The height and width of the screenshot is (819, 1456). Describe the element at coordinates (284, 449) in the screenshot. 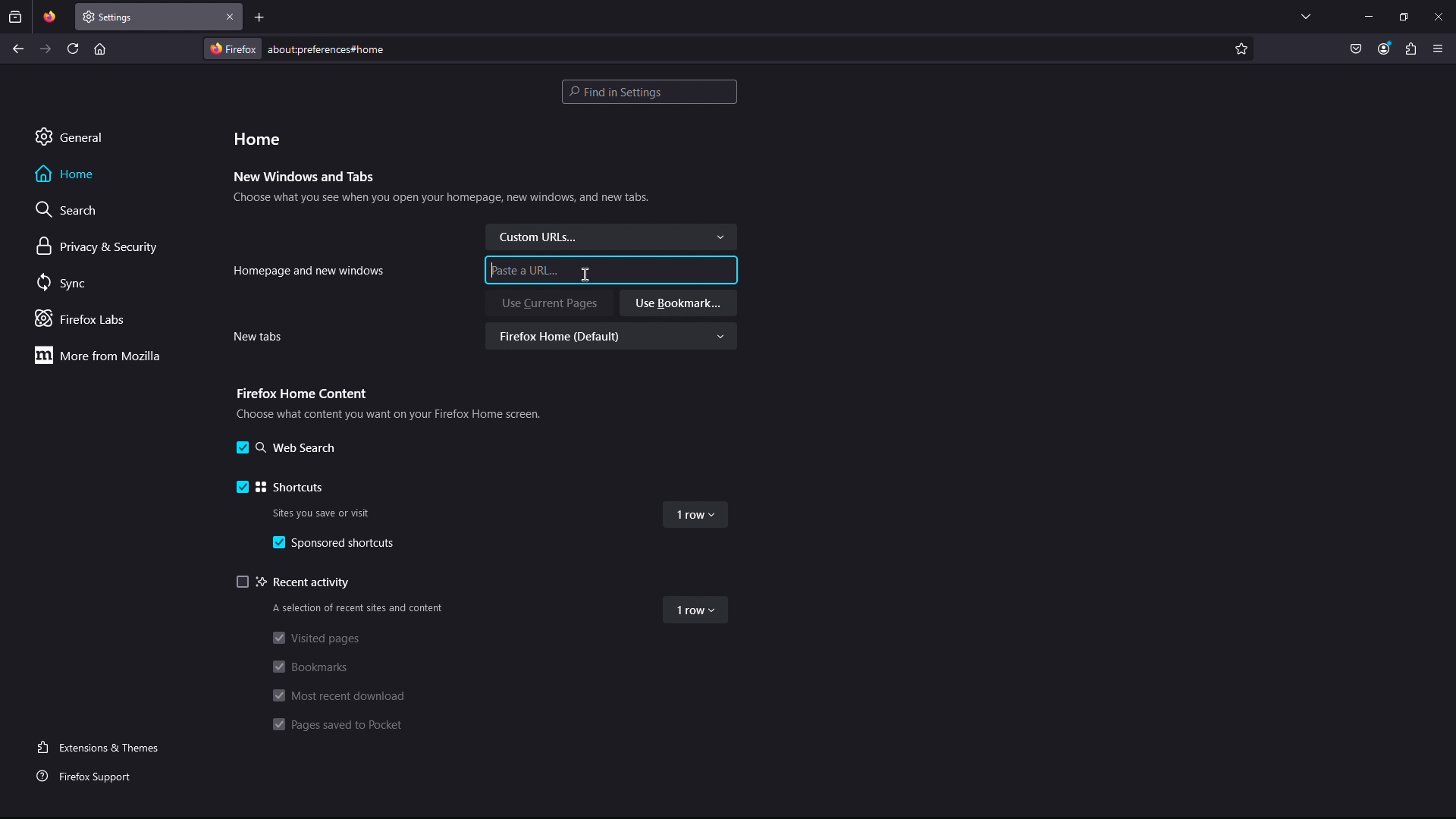

I see `Web Search` at that location.